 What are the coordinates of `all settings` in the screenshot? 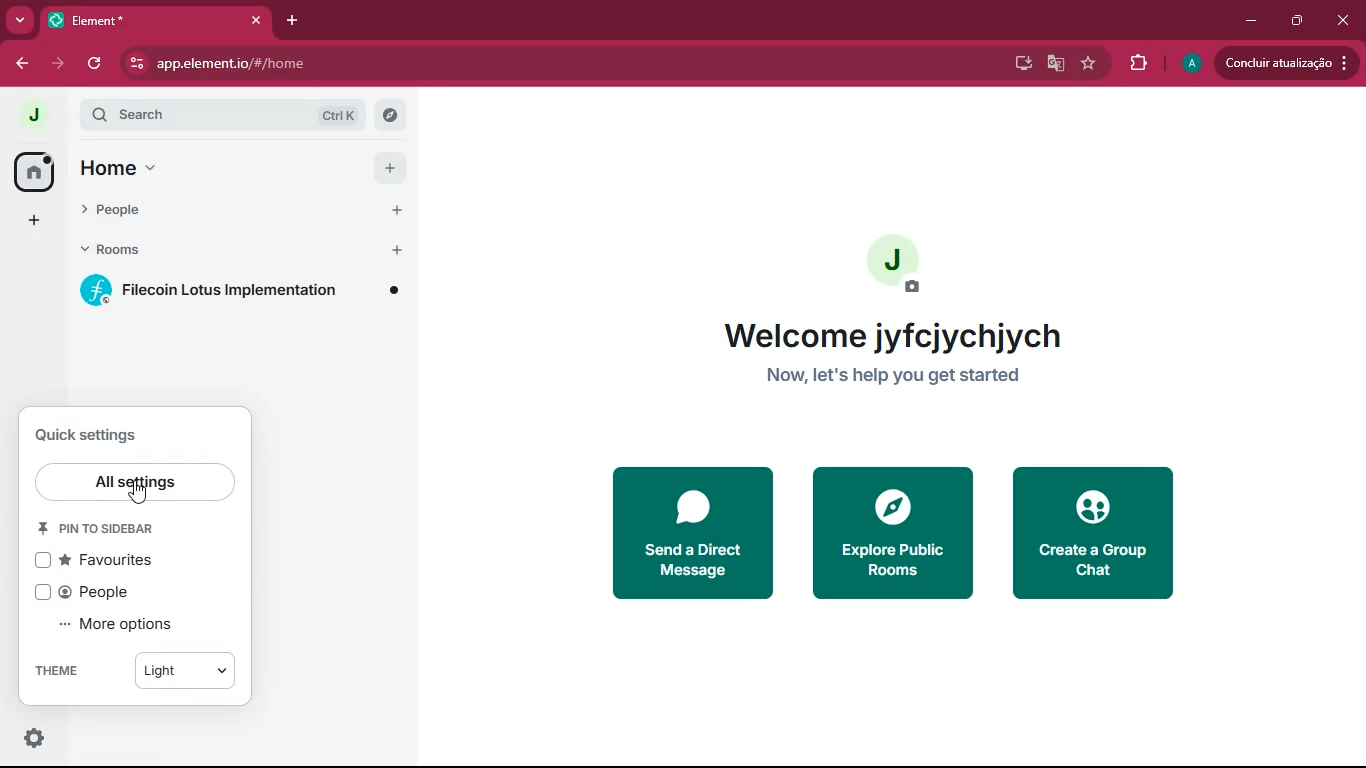 It's located at (134, 482).